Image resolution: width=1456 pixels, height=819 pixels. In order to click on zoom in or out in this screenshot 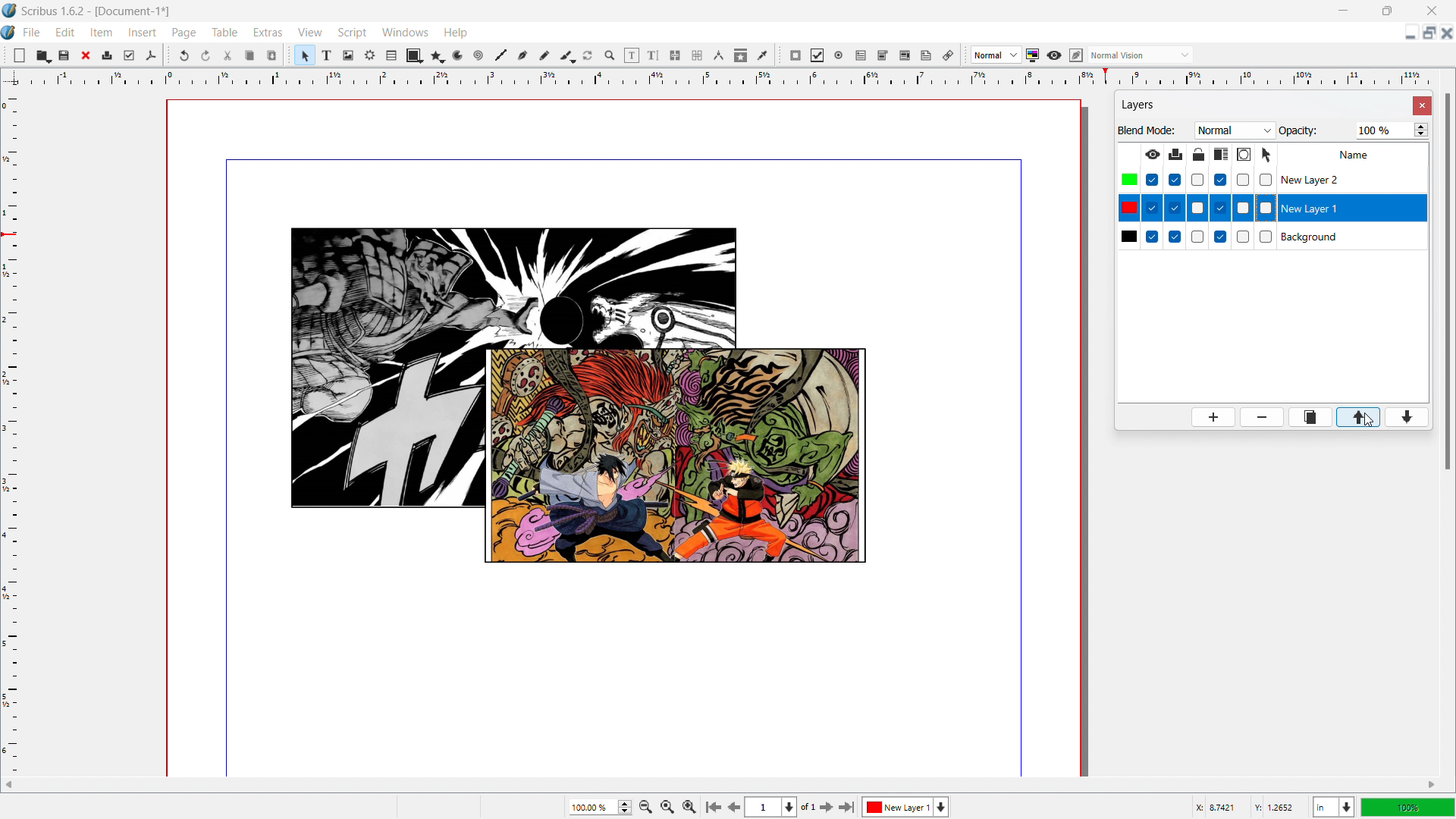, I will do `click(610, 55)`.